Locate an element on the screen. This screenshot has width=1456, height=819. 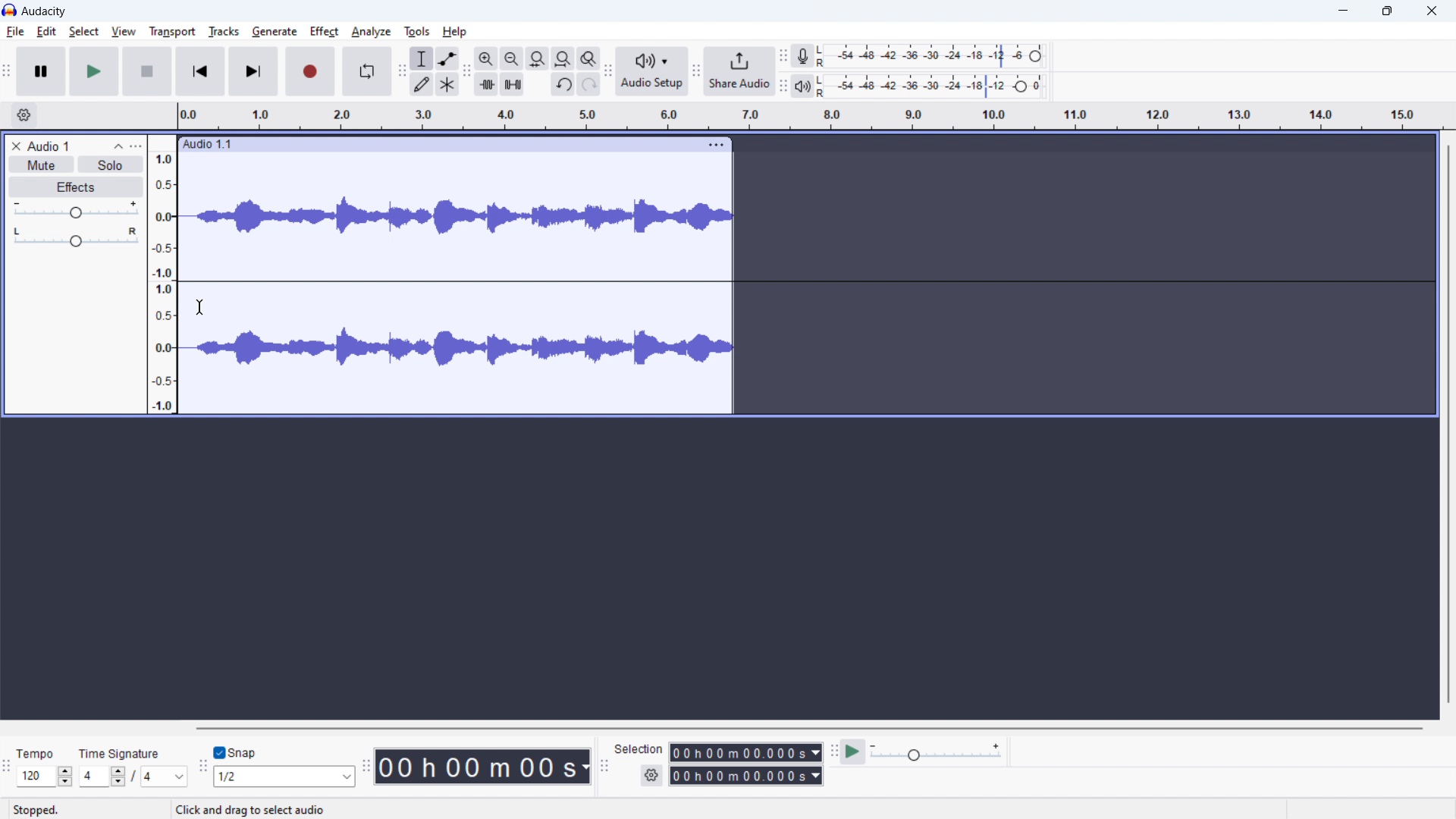
recording meter toolbar is located at coordinates (782, 56).